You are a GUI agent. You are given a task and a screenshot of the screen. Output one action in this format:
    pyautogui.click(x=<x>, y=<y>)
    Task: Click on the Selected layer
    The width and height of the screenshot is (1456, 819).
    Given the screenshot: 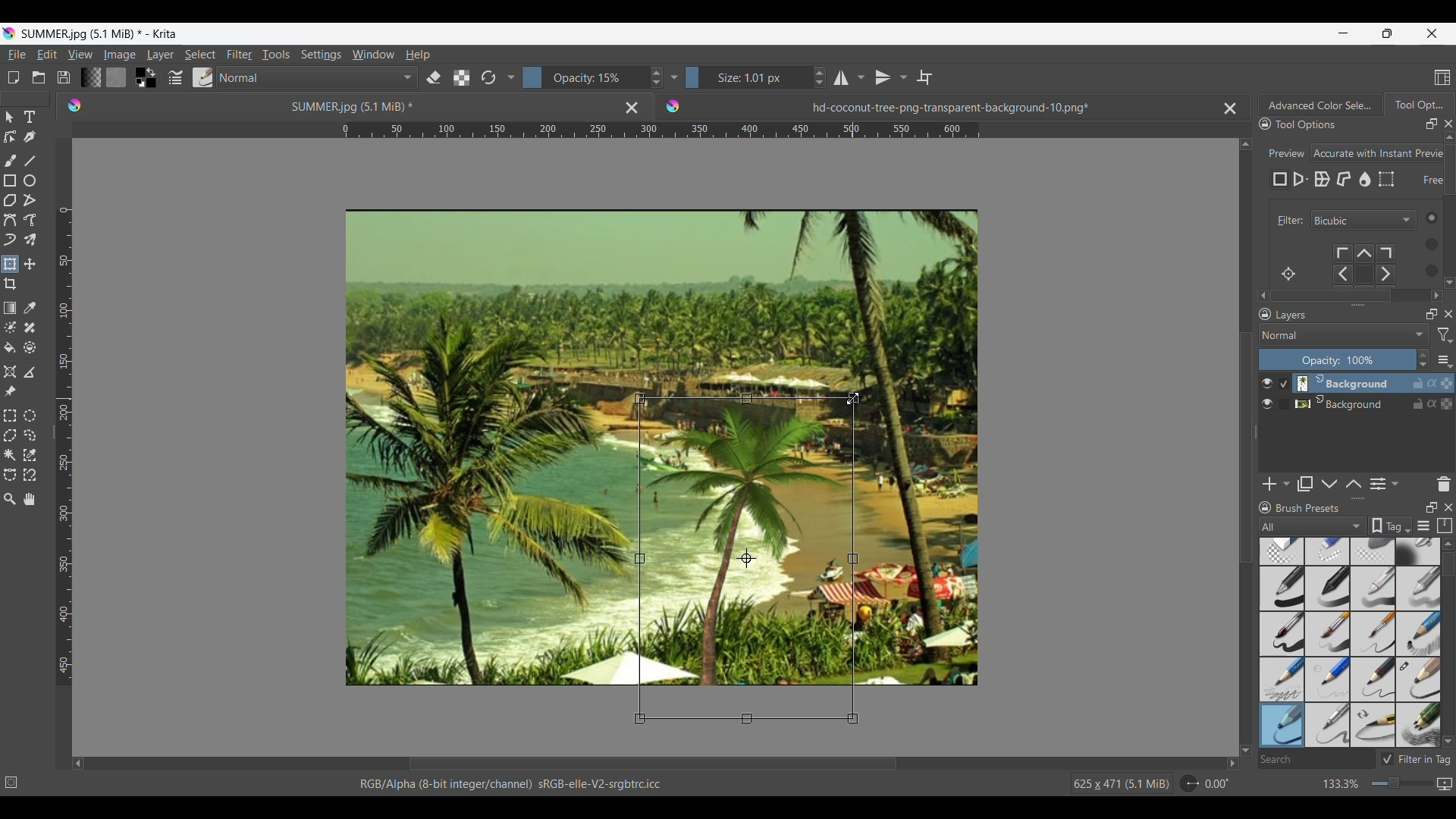 What is the action you would take?
    pyautogui.click(x=1341, y=383)
    